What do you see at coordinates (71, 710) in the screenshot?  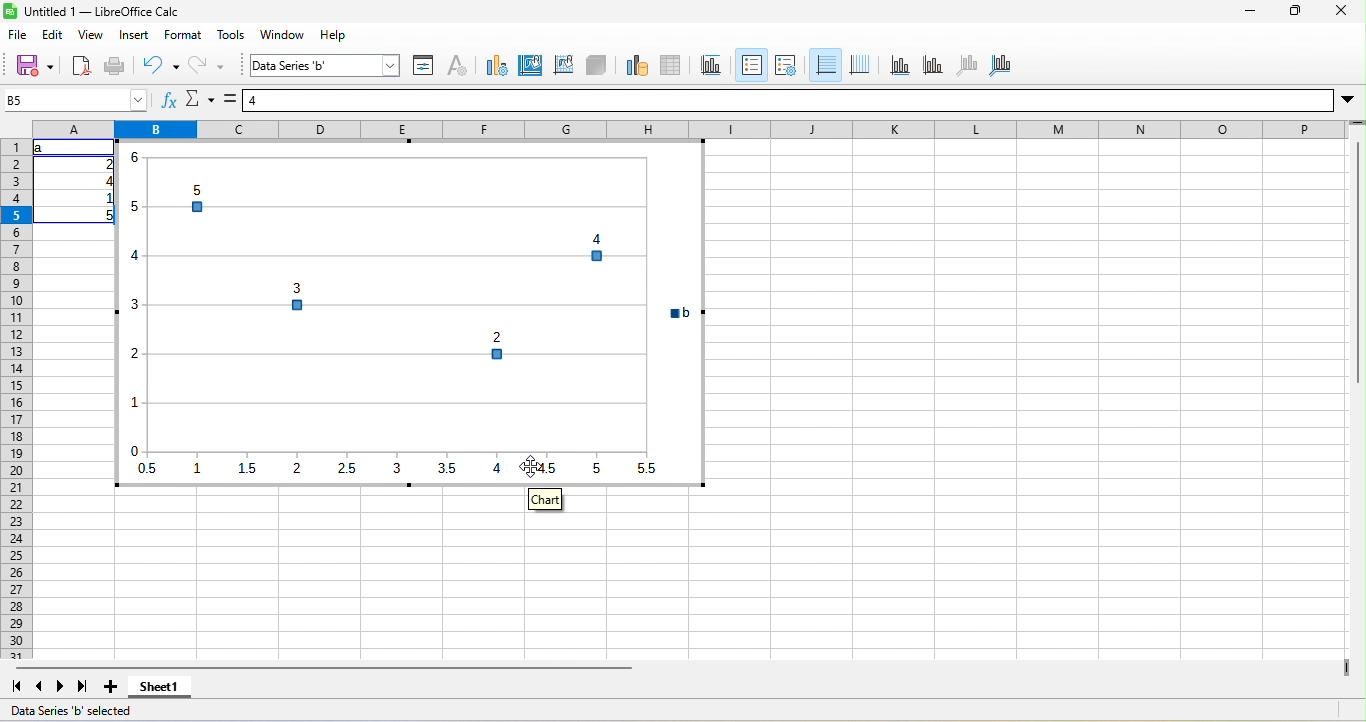 I see `Data Series 'b' selected` at bounding box center [71, 710].